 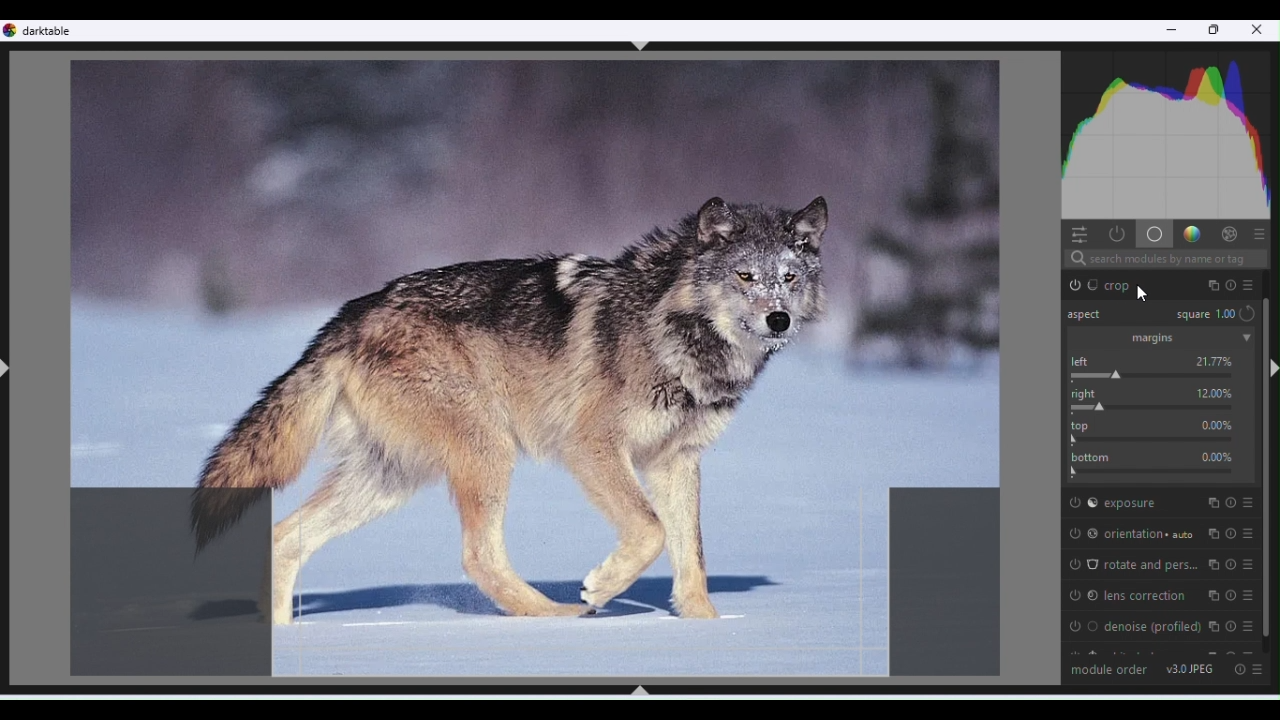 What do you see at coordinates (1160, 338) in the screenshot?
I see `Margin` at bounding box center [1160, 338].